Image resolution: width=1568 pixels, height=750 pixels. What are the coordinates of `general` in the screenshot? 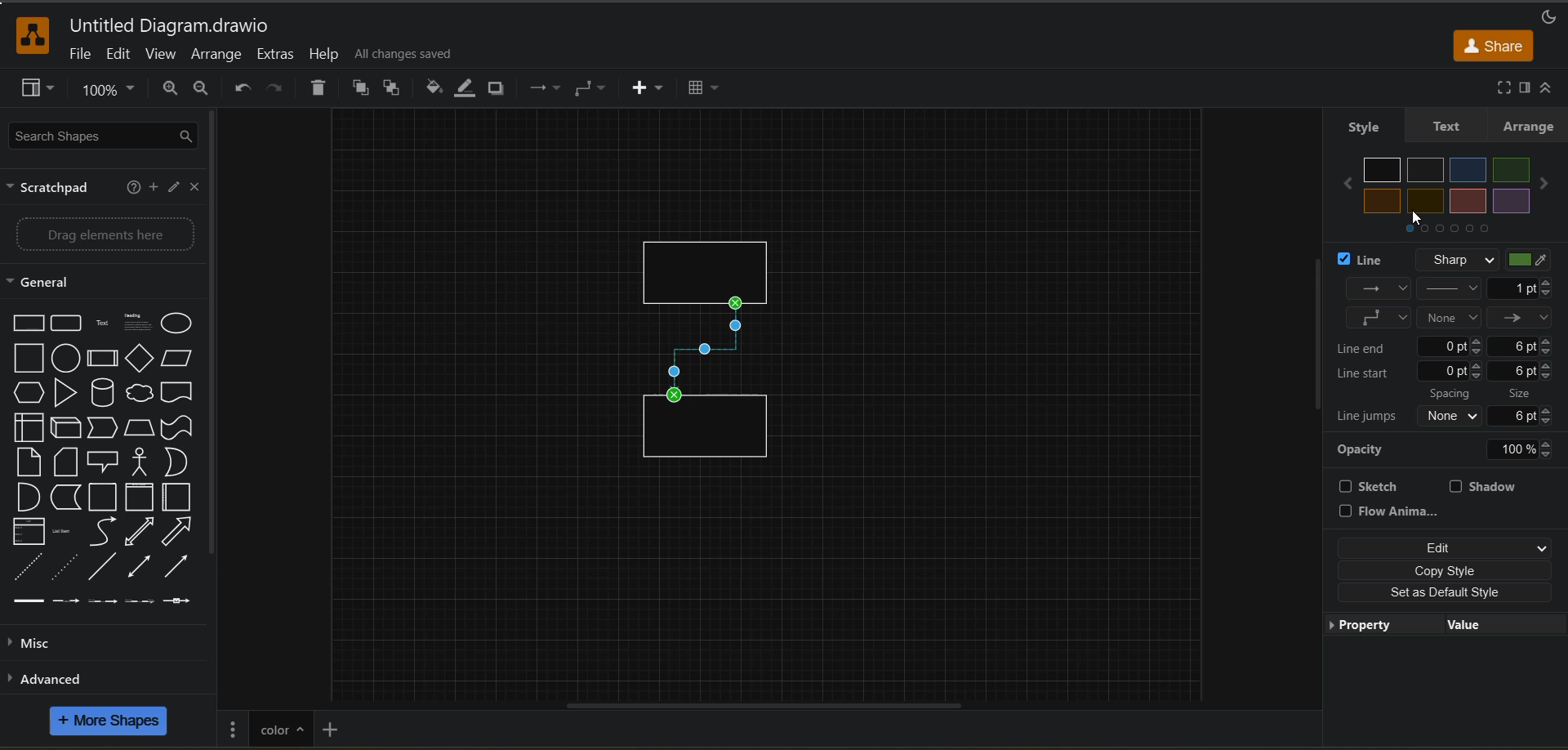 It's located at (53, 283).